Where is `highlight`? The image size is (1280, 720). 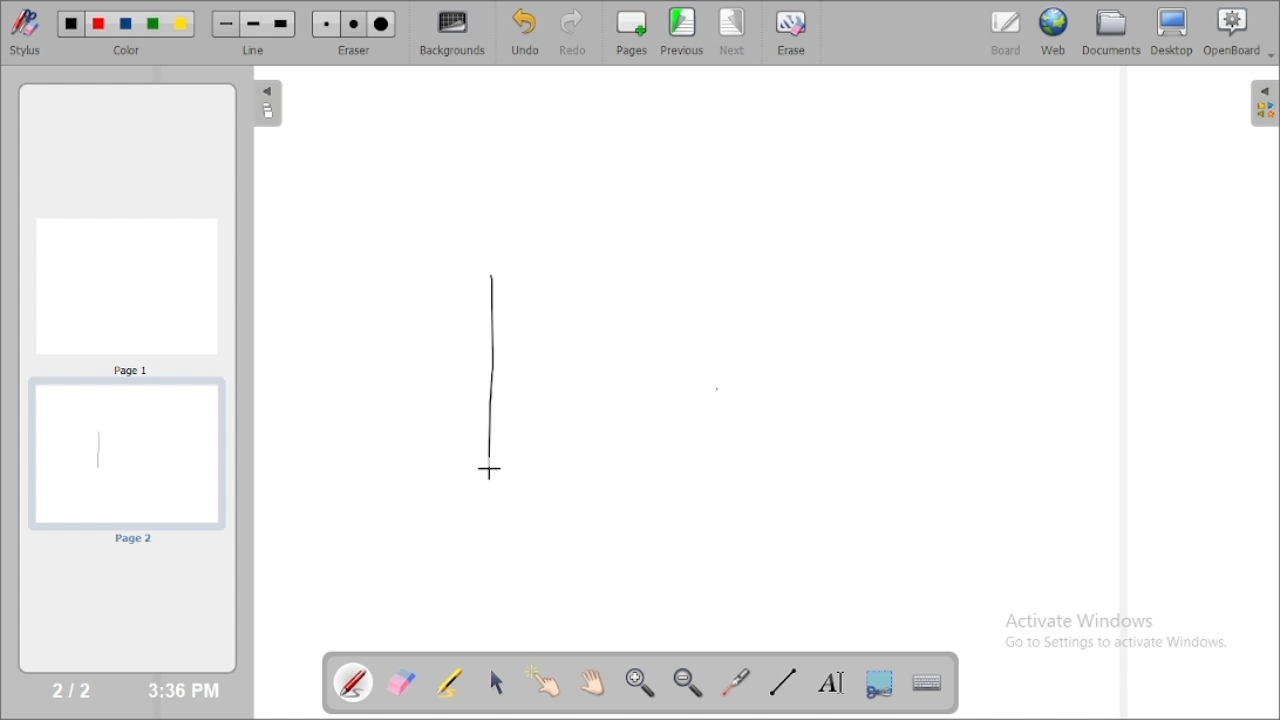
highlight is located at coordinates (449, 681).